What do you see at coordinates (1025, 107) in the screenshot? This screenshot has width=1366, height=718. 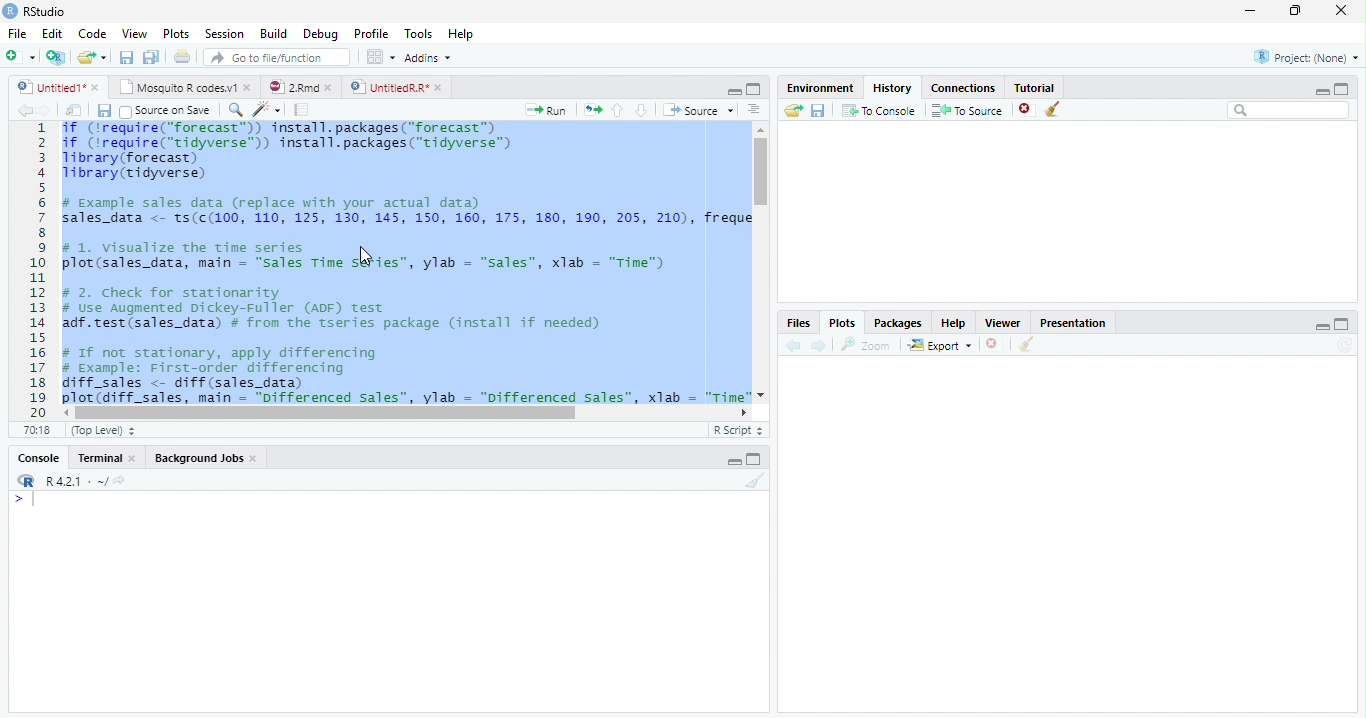 I see `Delete` at bounding box center [1025, 107].